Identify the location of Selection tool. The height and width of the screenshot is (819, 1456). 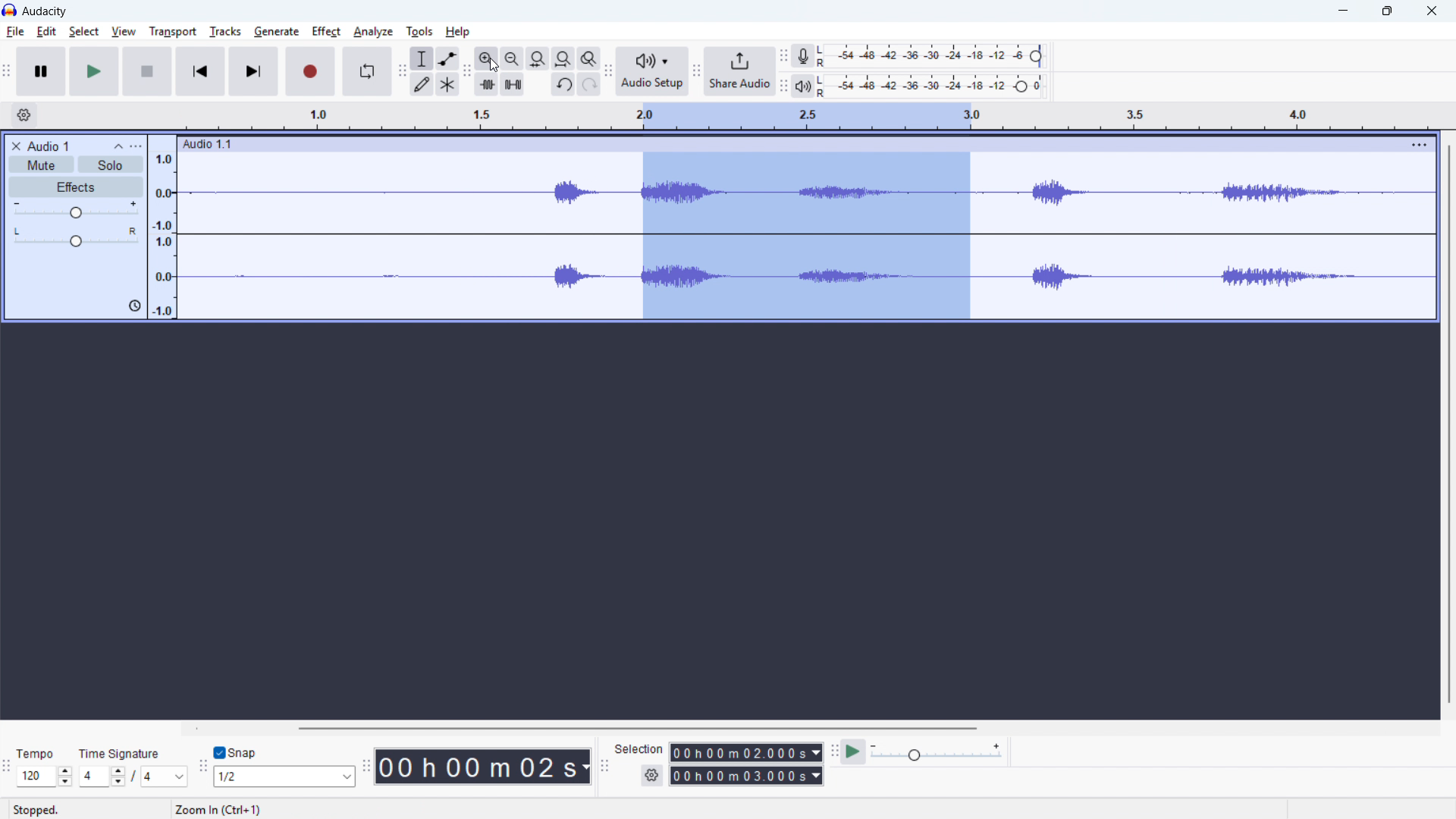
(422, 58).